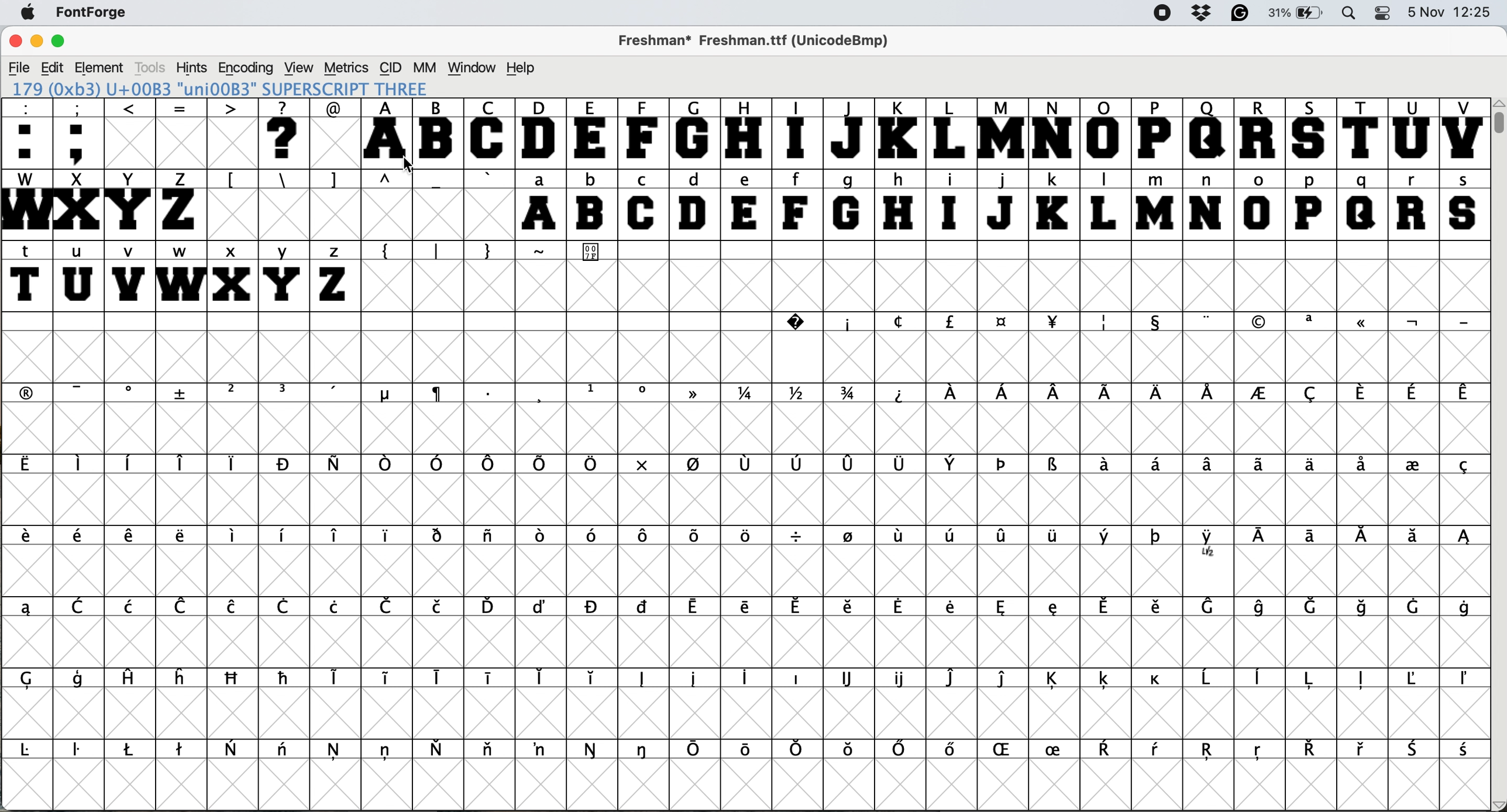  What do you see at coordinates (181, 677) in the screenshot?
I see `symbol` at bounding box center [181, 677].